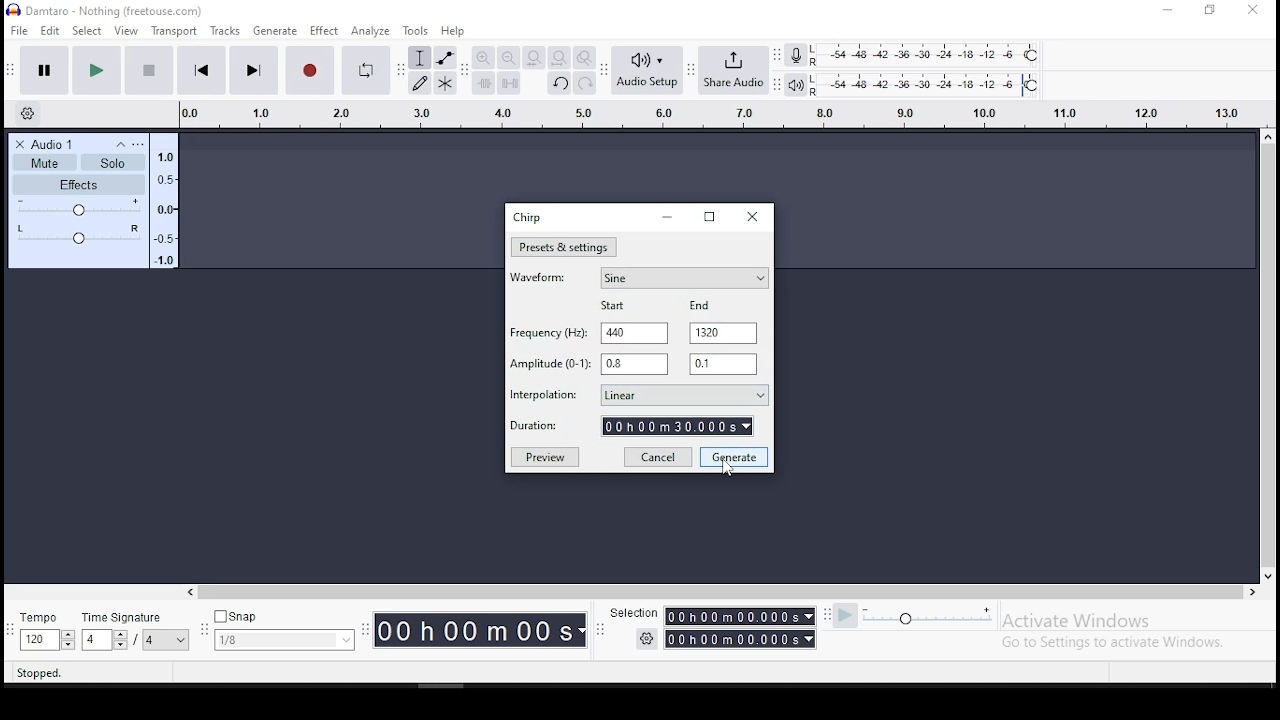 The width and height of the screenshot is (1280, 720). Describe the element at coordinates (78, 185) in the screenshot. I see `effects` at that location.